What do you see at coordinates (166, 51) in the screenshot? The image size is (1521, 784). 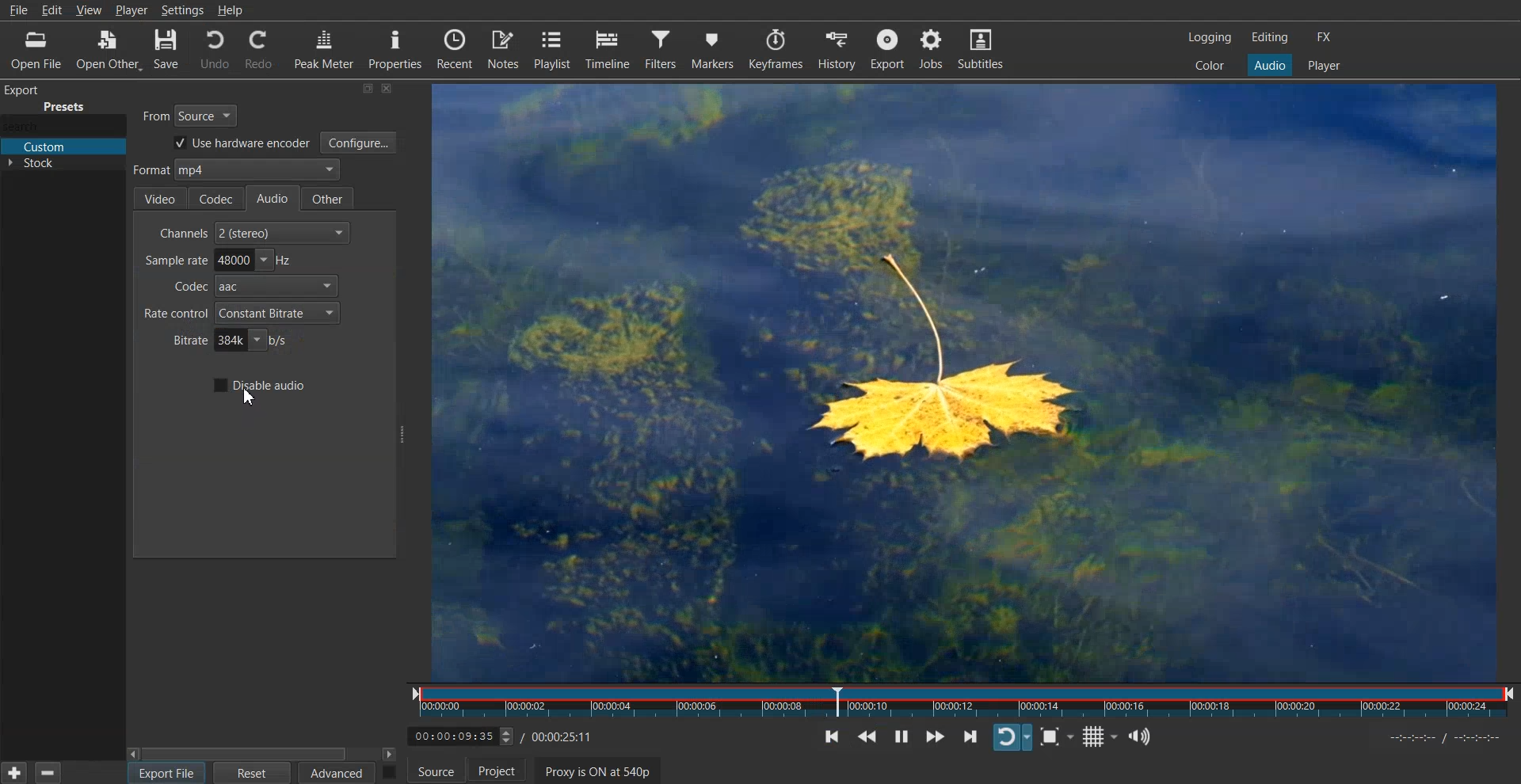 I see `Save` at bounding box center [166, 51].